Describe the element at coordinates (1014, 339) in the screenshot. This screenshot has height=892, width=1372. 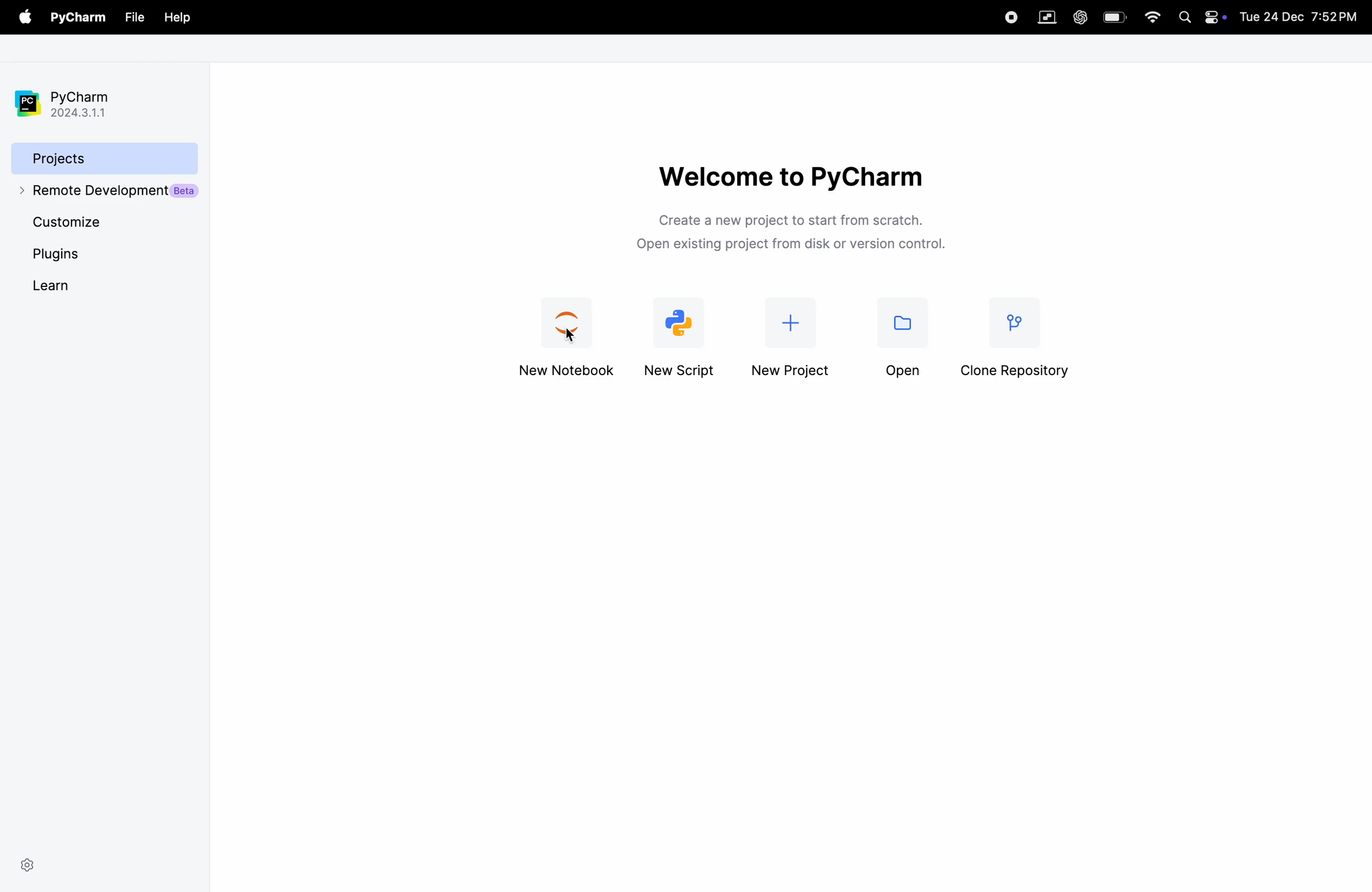
I see `clone repository` at that location.